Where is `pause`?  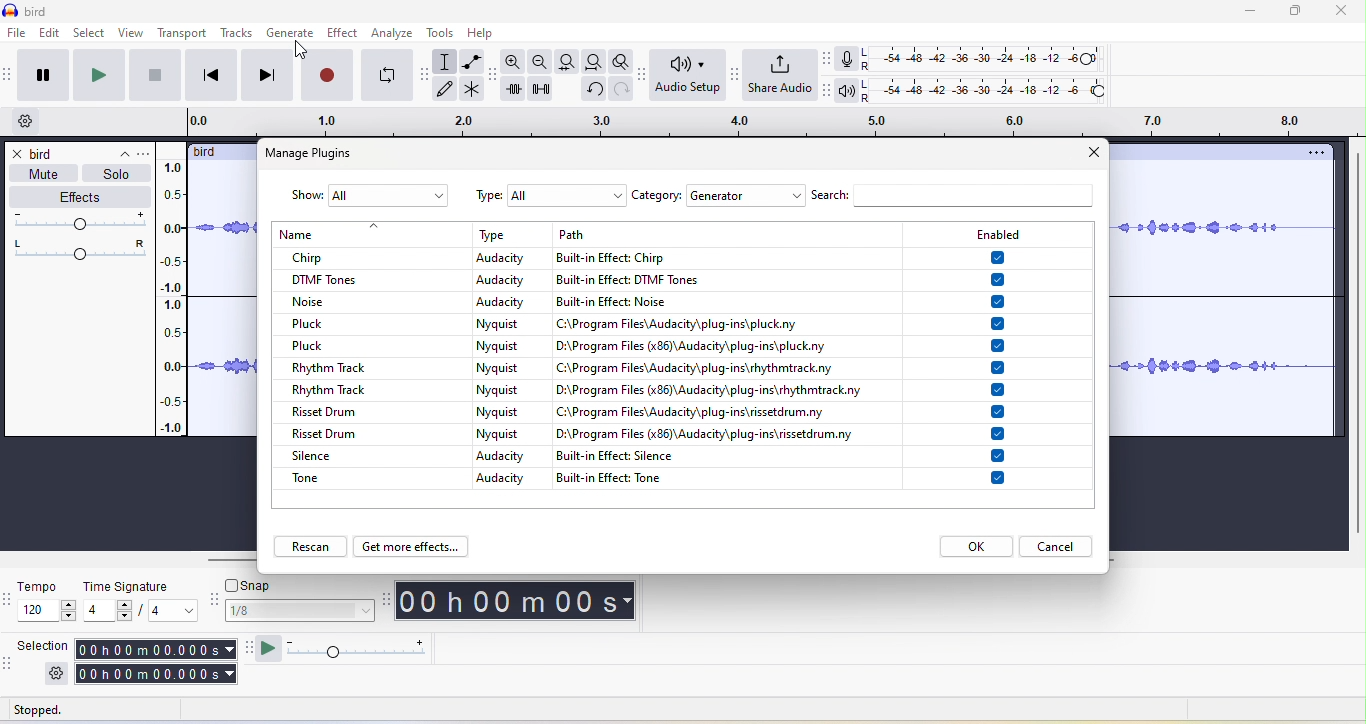 pause is located at coordinates (44, 74).